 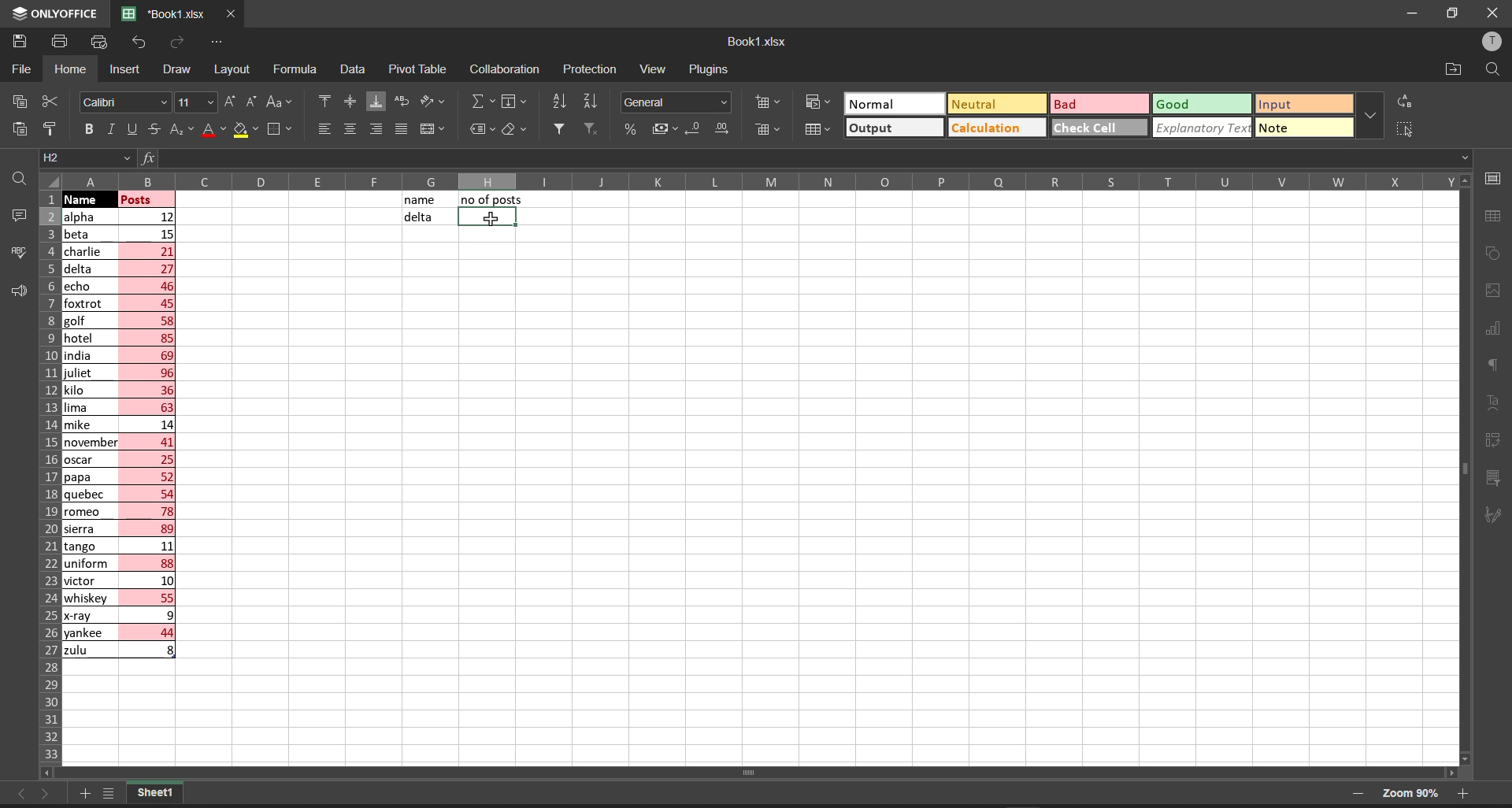 I want to click on increase decimal, so click(x=724, y=131).